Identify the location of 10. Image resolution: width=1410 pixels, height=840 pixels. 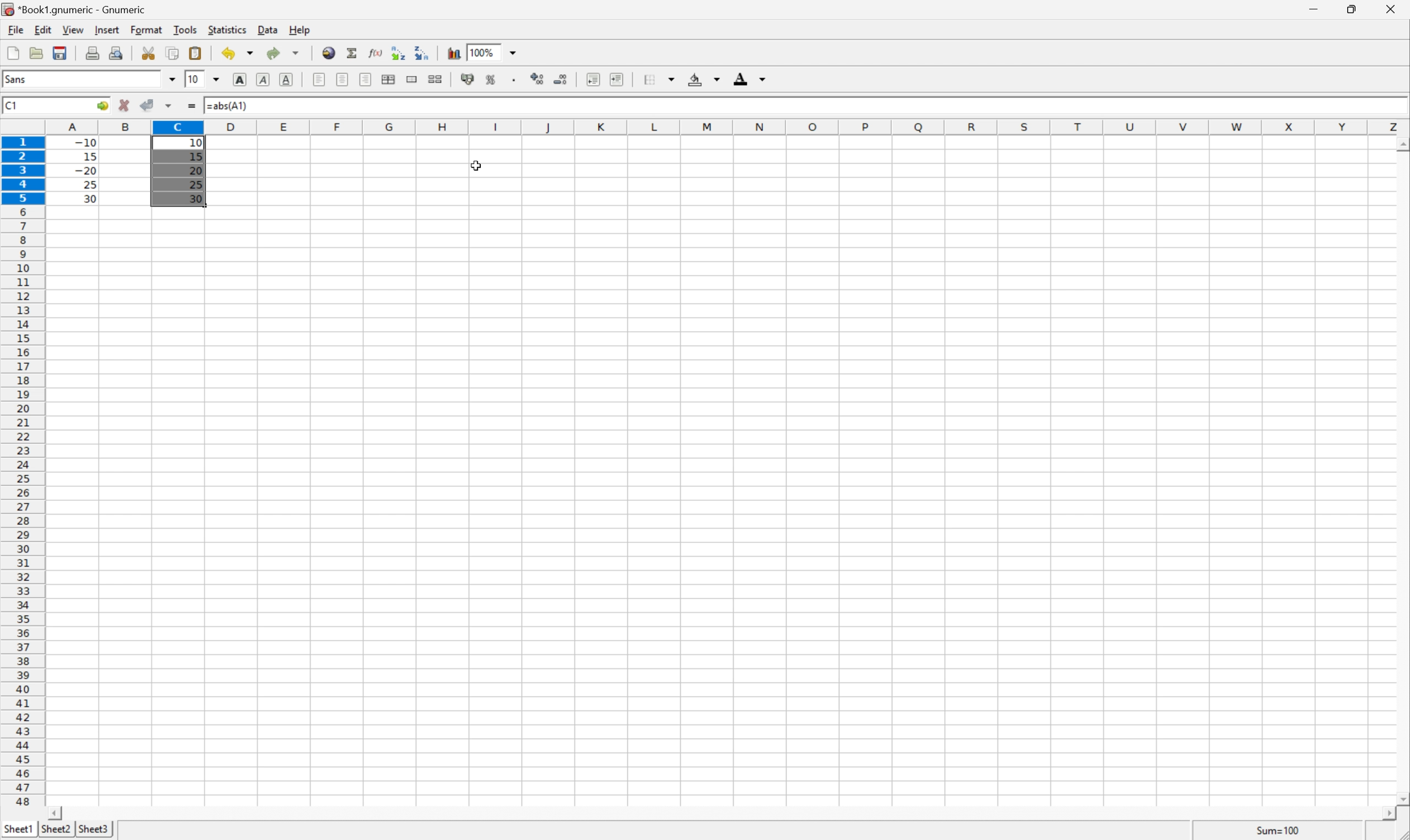
(196, 143).